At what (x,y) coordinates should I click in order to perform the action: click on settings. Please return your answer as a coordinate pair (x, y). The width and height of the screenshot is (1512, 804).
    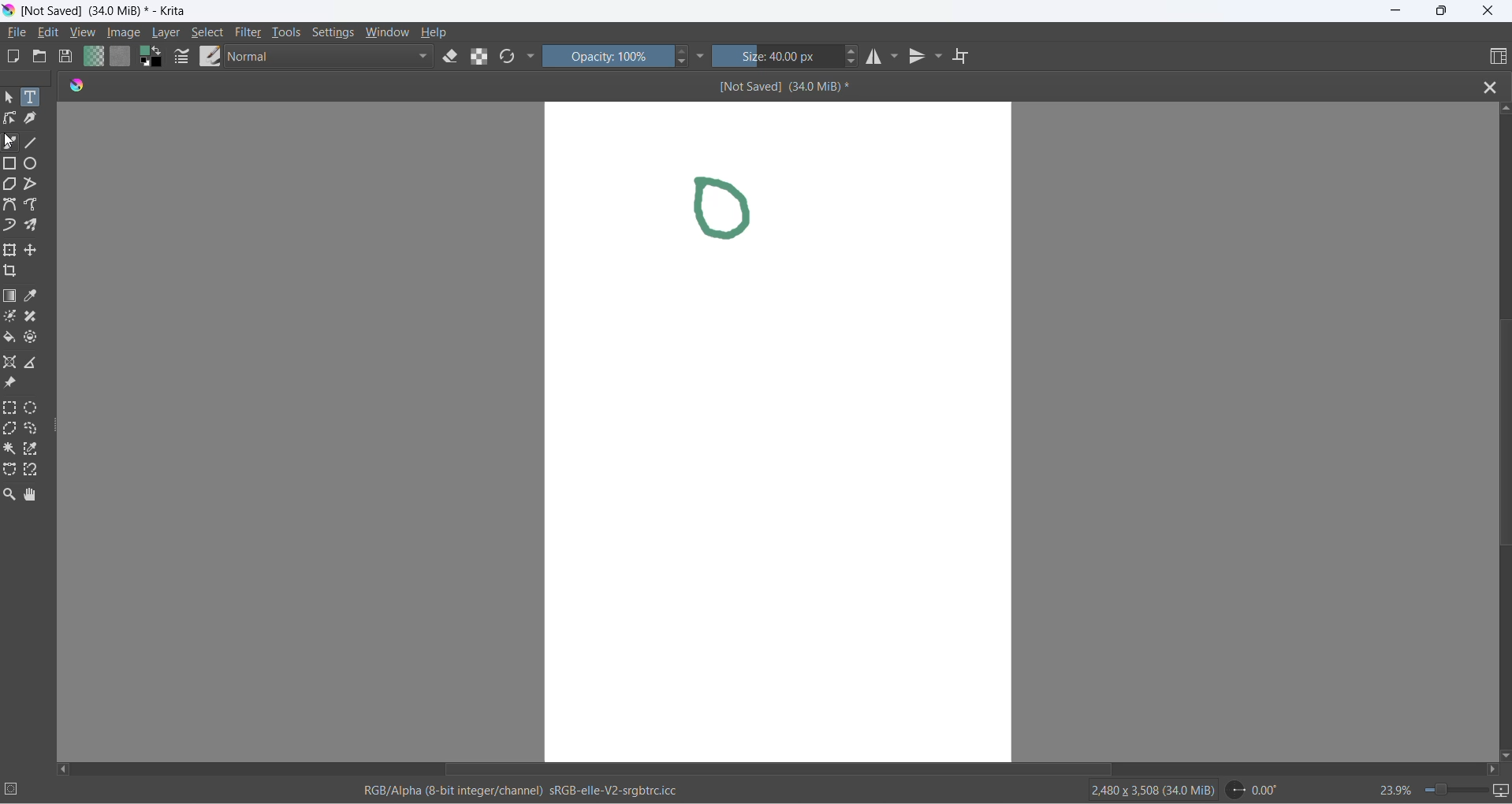
    Looking at the image, I should click on (331, 33).